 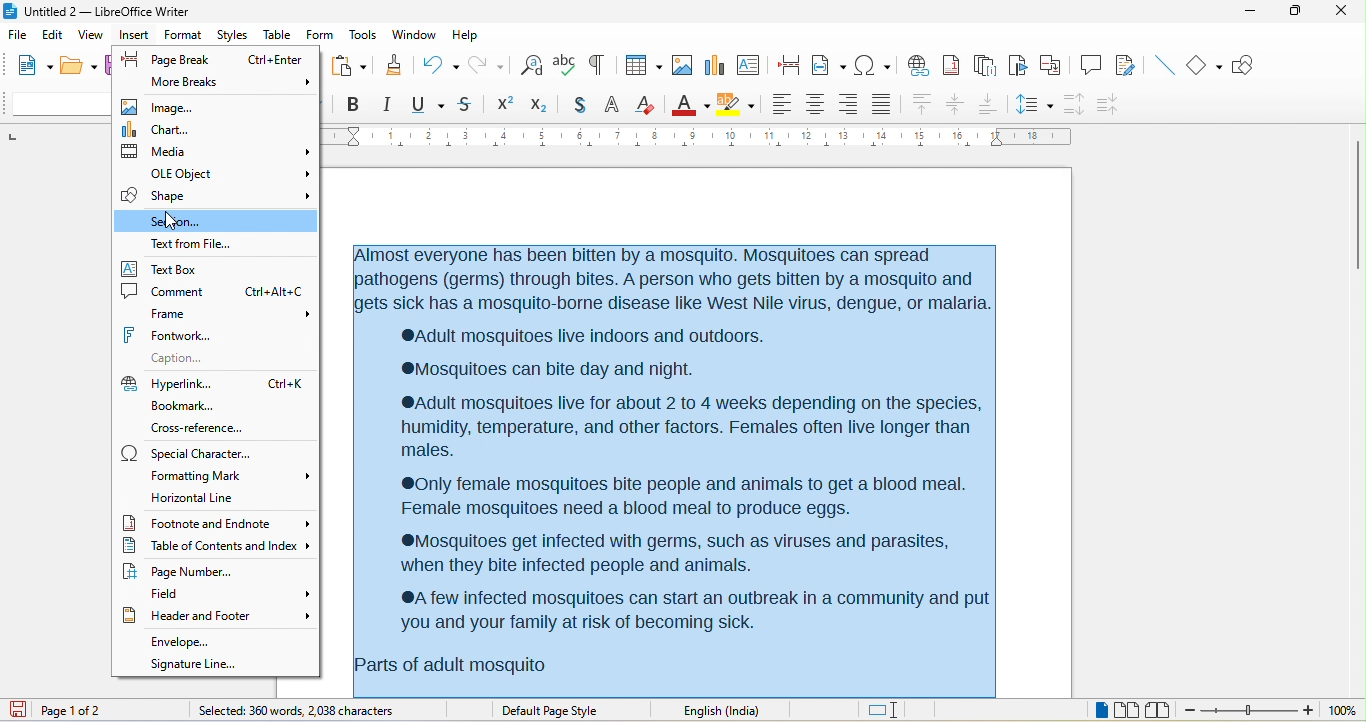 I want to click on cross reference, so click(x=214, y=429).